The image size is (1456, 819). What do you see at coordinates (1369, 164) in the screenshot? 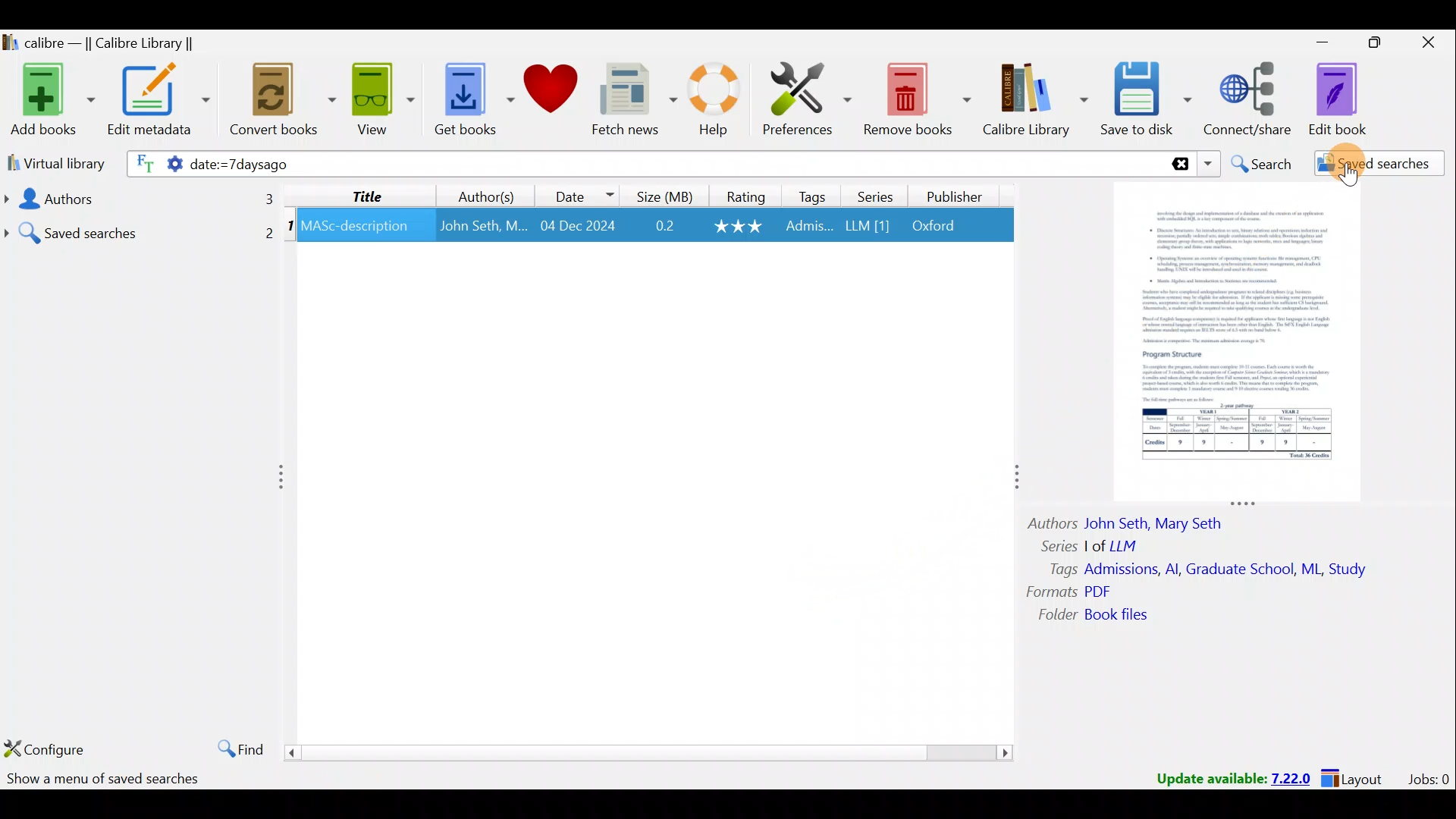
I see `Saved searches` at bounding box center [1369, 164].